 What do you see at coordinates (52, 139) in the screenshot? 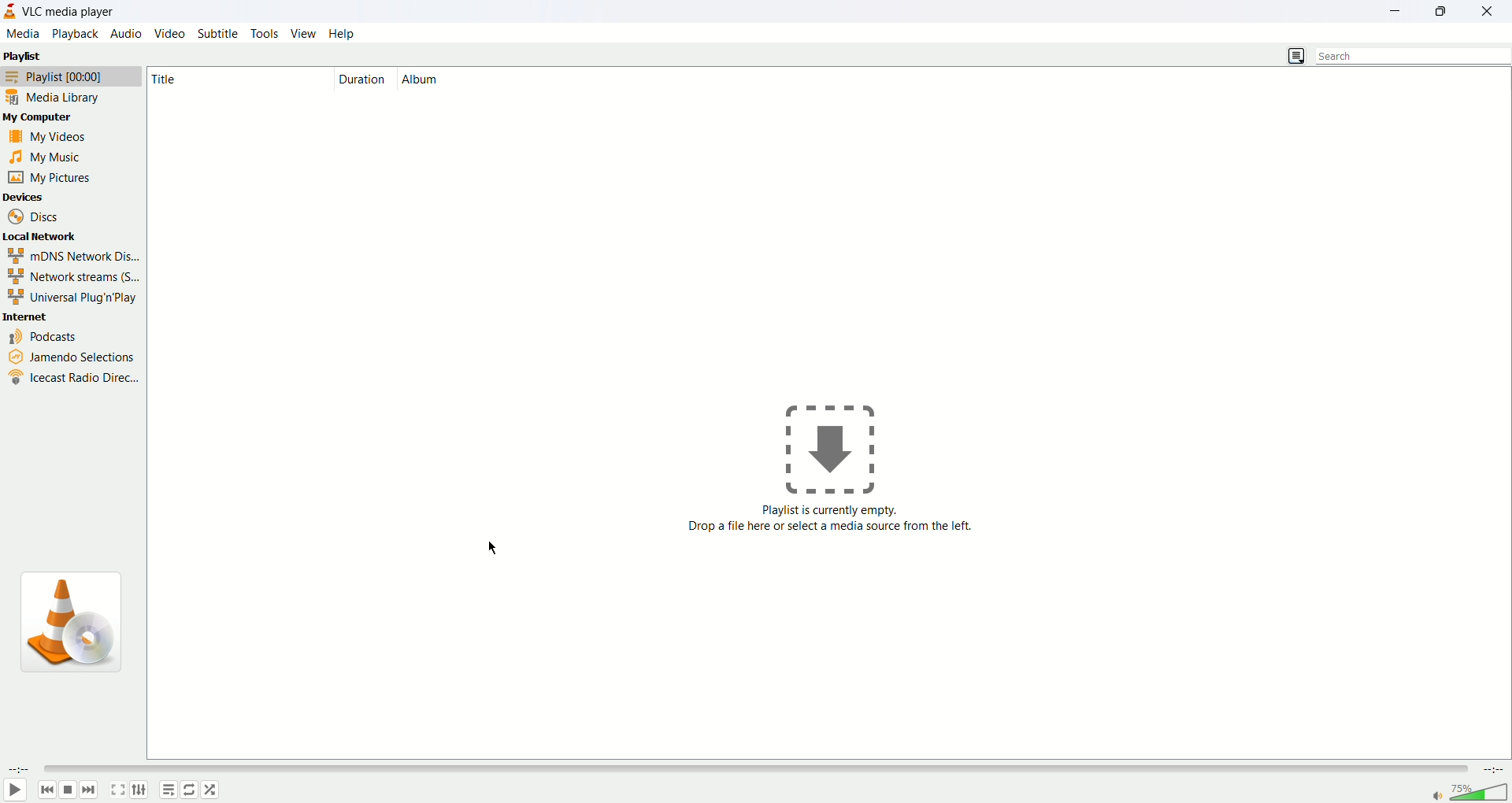
I see `my videos` at bounding box center [52, 139].